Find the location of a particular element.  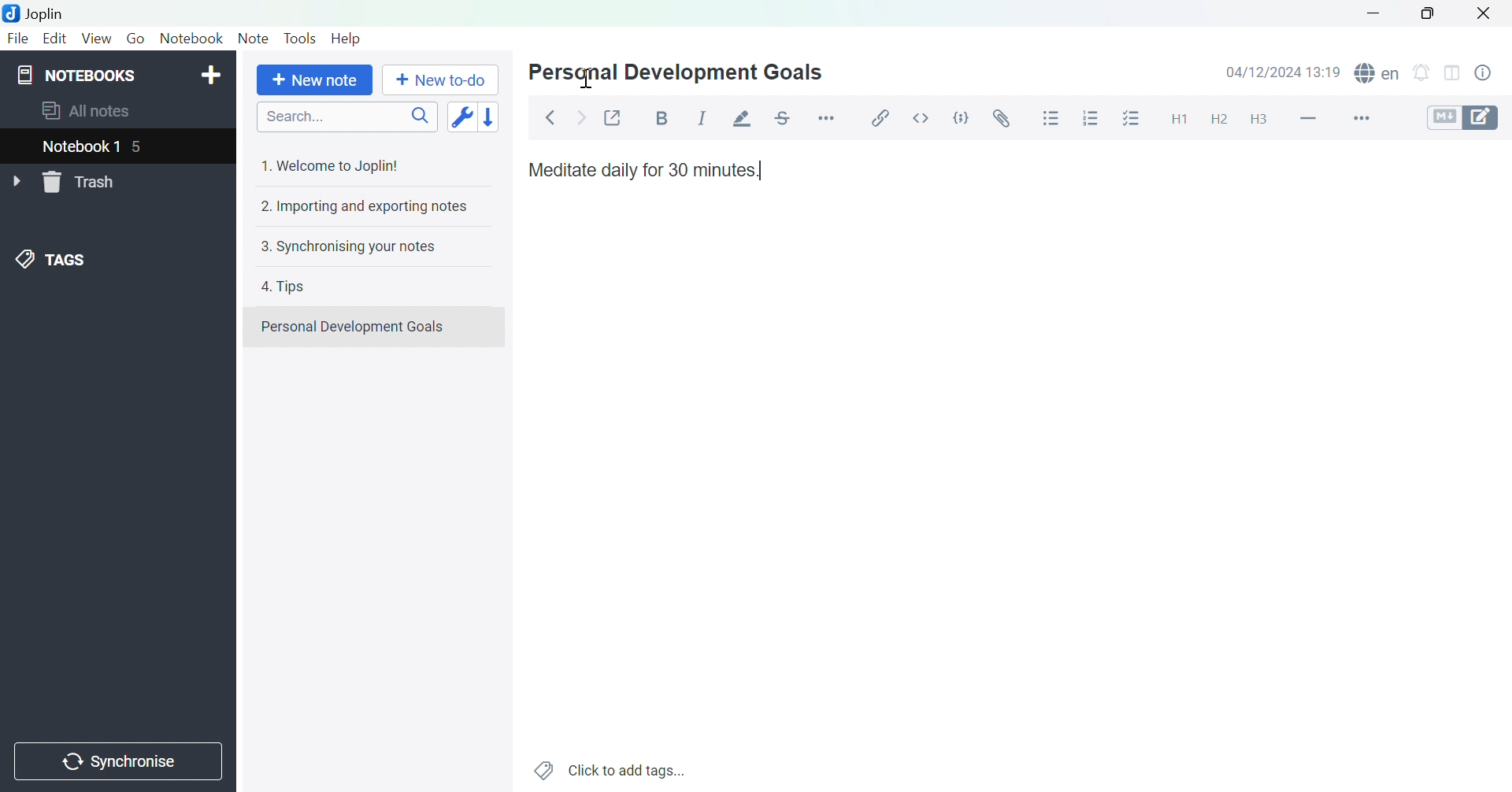

Synchronise is located at coordinates (117, 763).